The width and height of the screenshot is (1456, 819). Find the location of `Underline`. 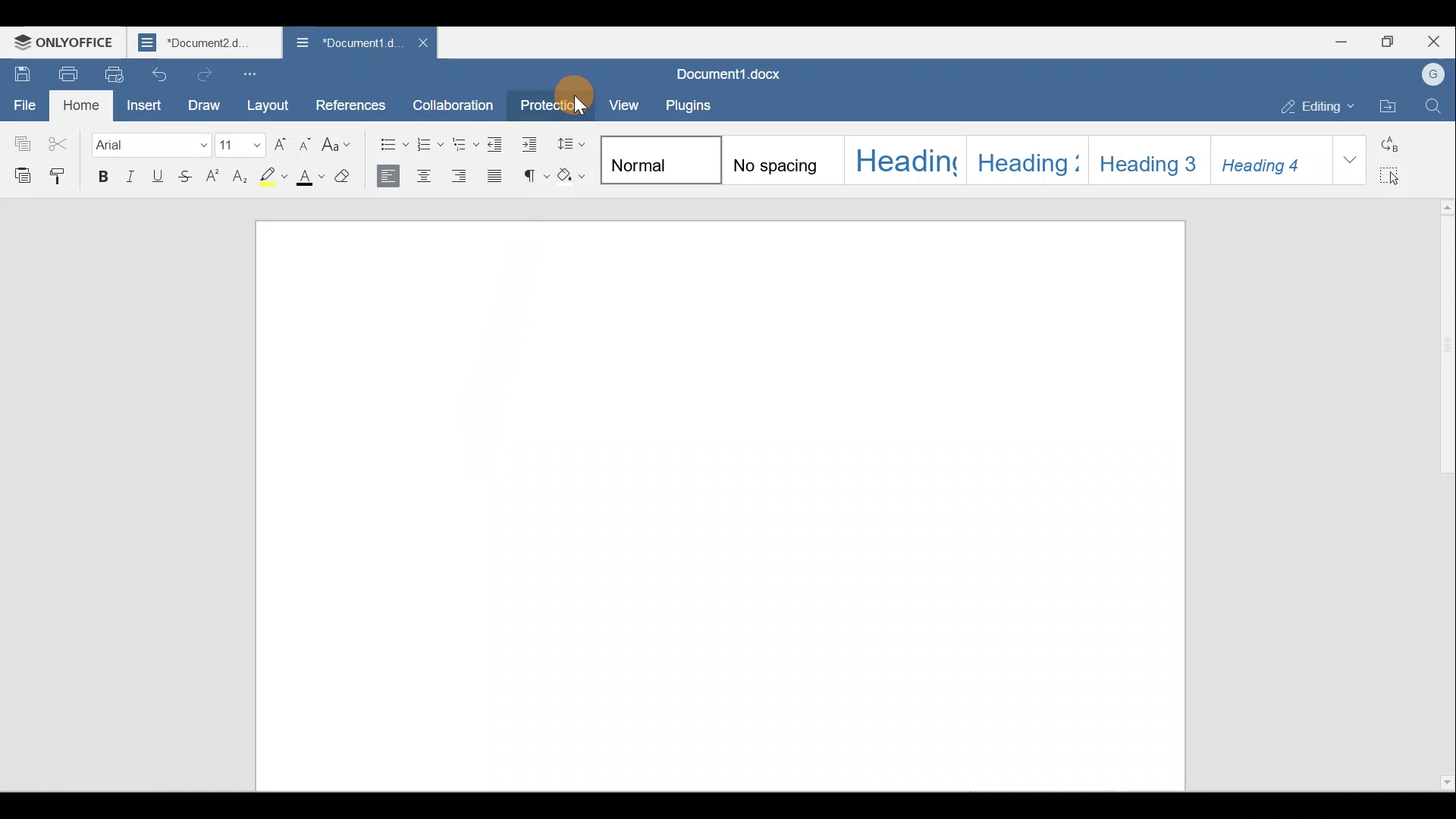

Underline is located at coordinates (162, 176).